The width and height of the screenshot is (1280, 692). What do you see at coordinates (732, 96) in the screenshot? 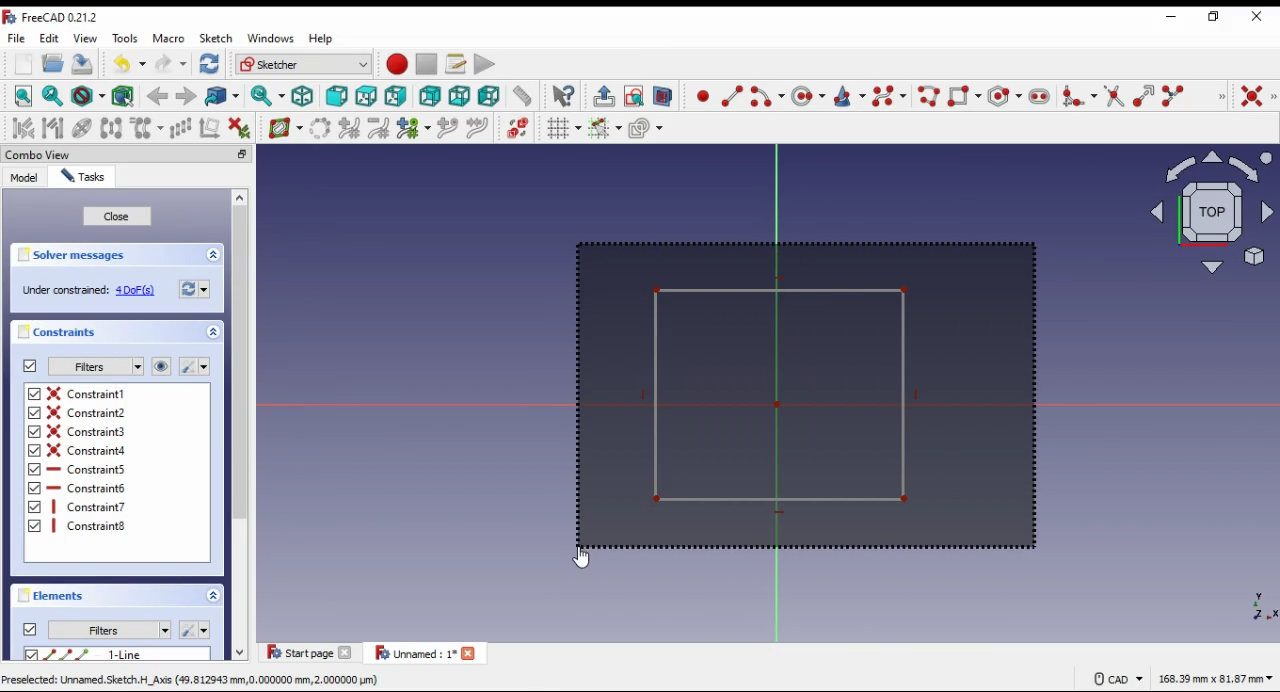
I see `create line` at bounding box center [732, 96].